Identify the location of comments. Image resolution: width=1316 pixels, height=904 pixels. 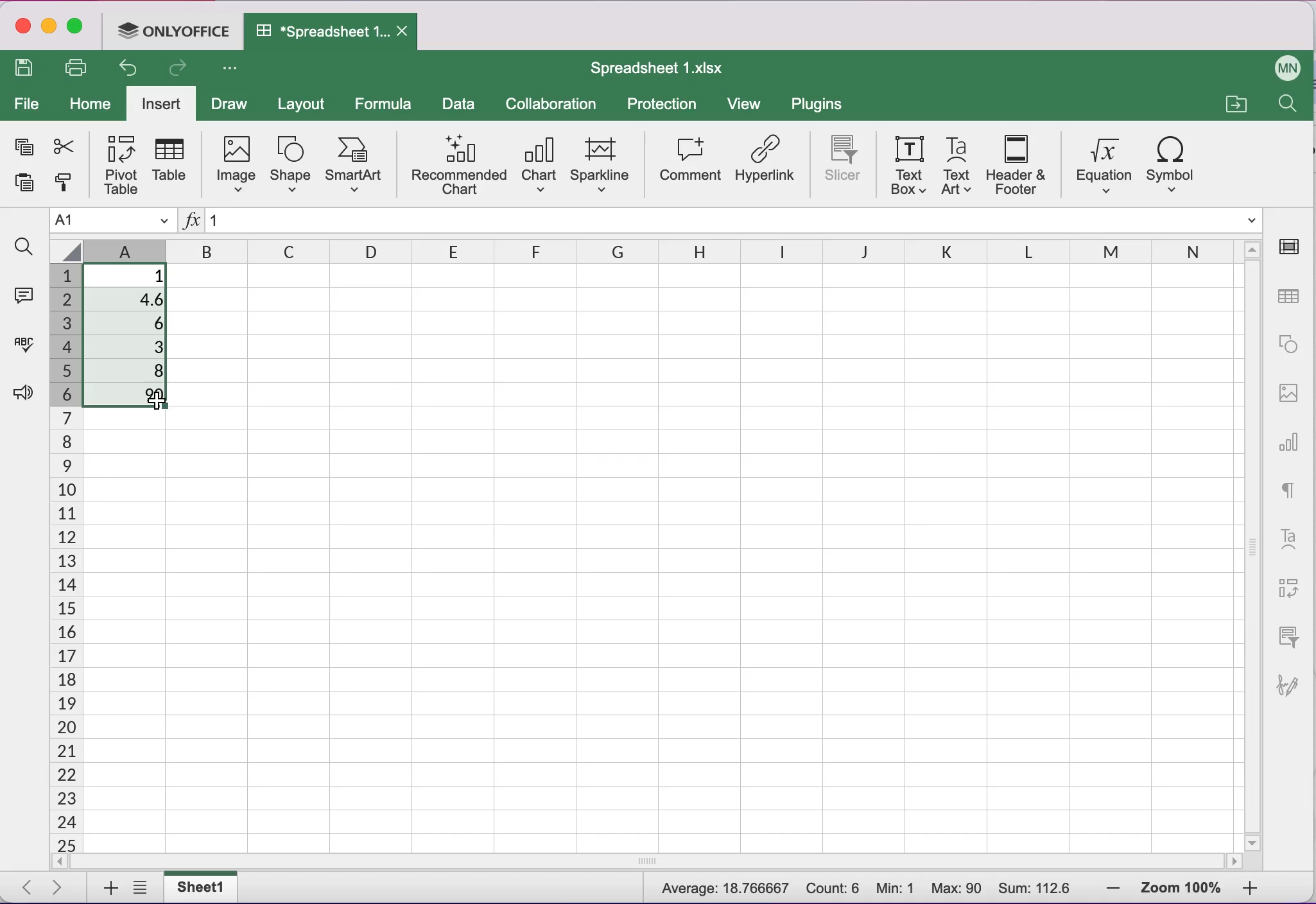
(24, 297).